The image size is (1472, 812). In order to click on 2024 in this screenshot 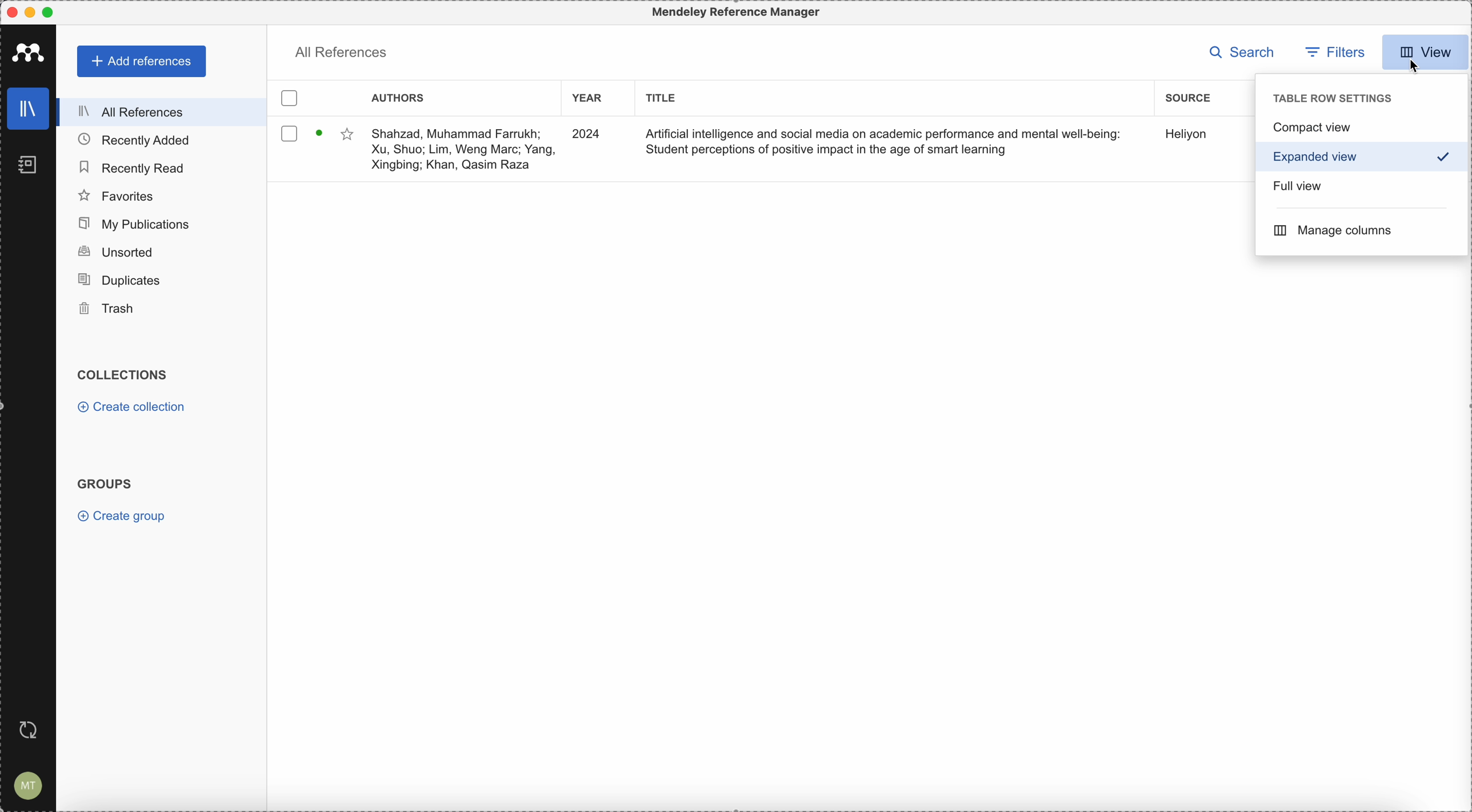, I will do `click(586, 135)`.